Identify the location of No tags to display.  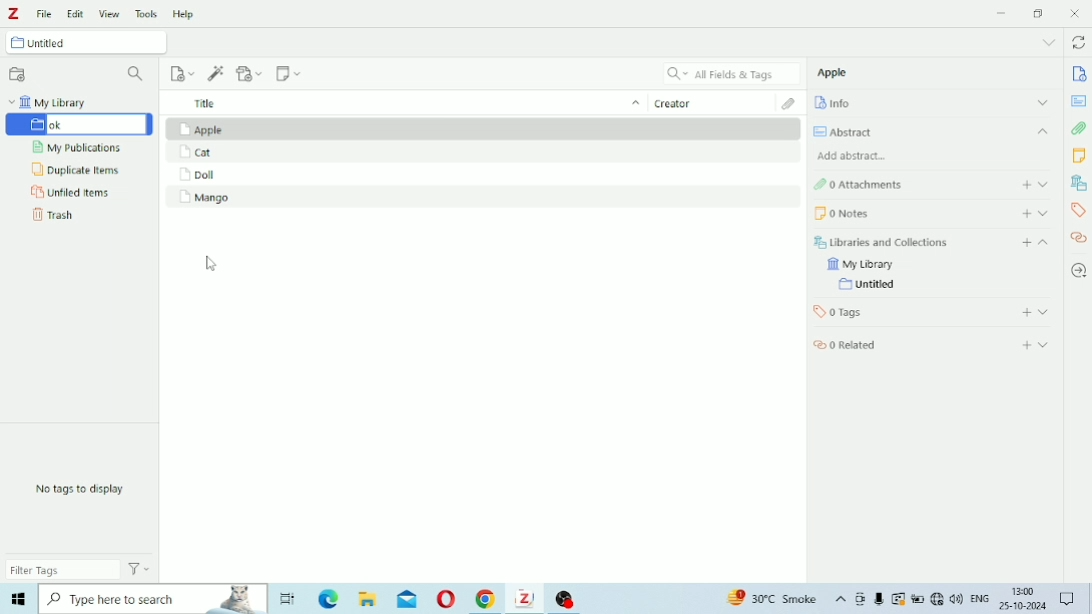
(81, 488).